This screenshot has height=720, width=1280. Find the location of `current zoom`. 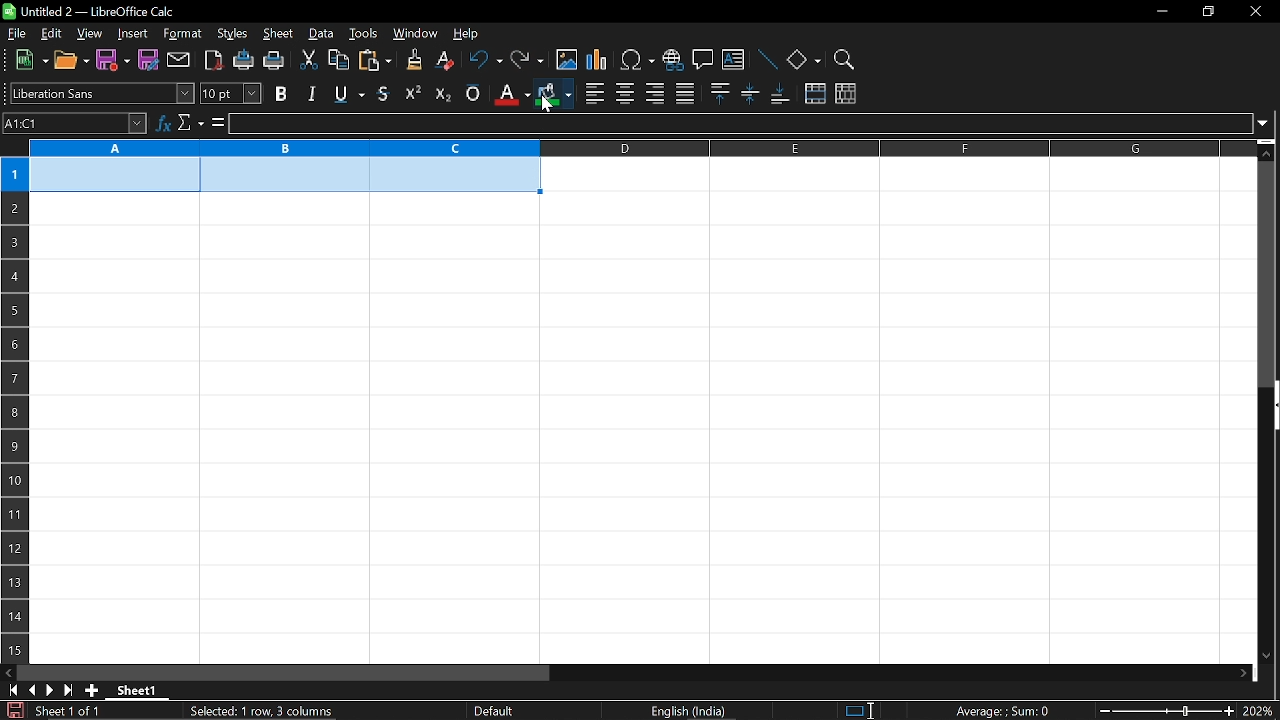

current zoom is located at coordinates (1260, 712).